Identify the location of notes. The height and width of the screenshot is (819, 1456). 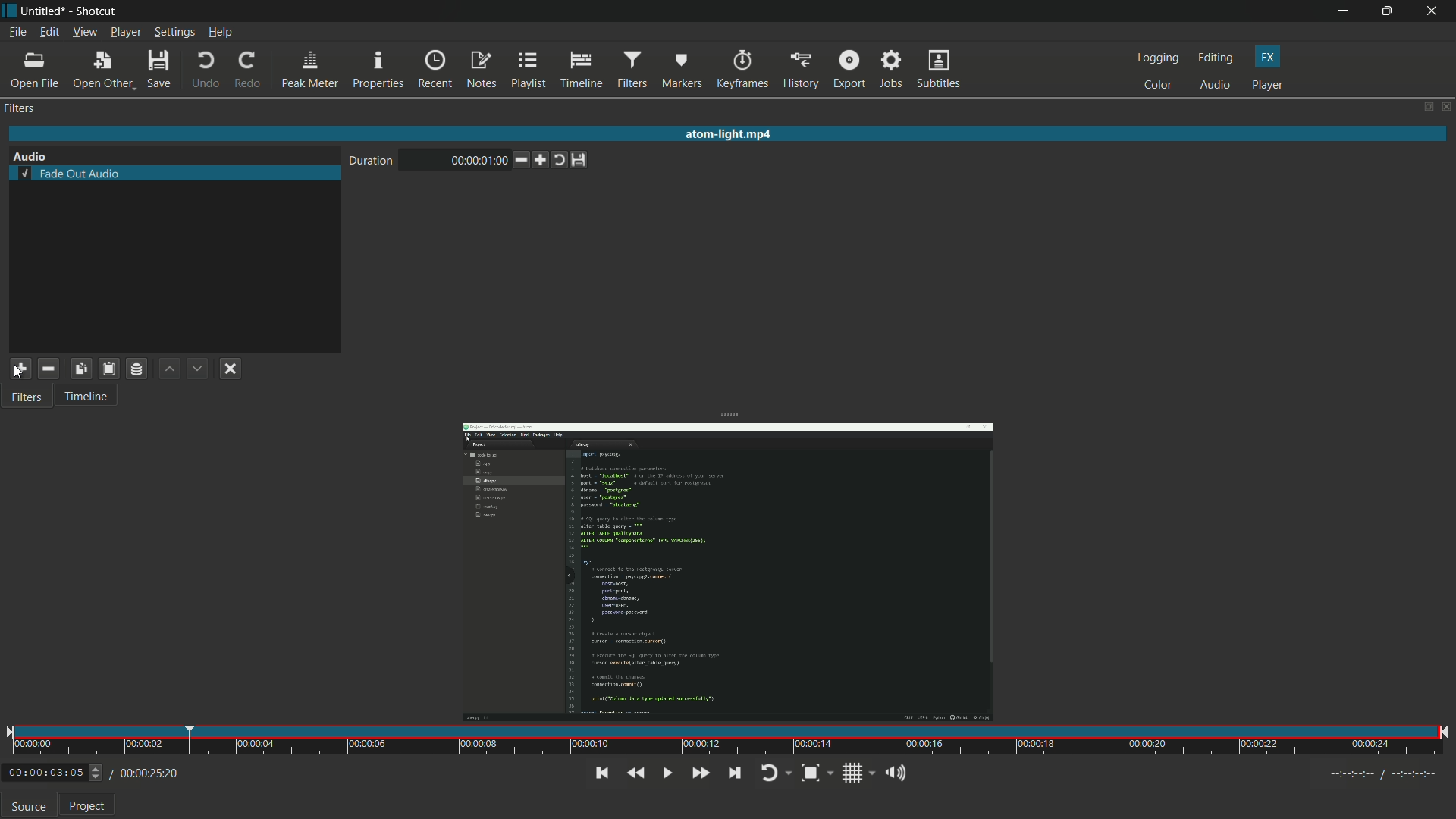
(482, 71).